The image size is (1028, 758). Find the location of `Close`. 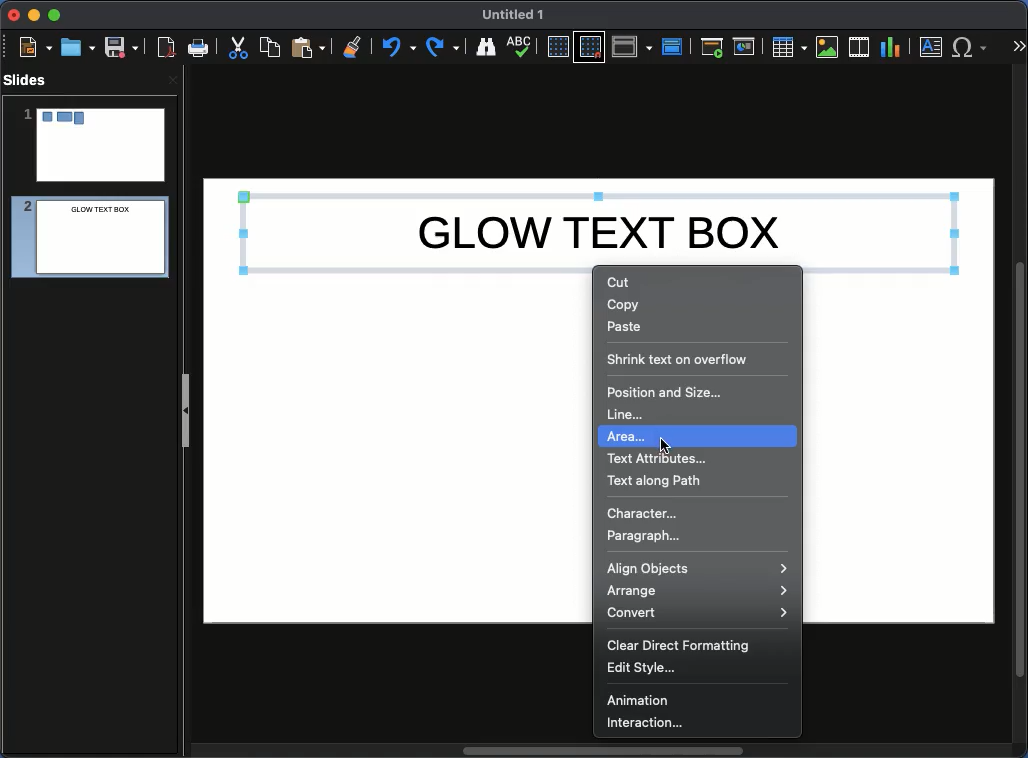

Close is located at coordinates (15, 15).